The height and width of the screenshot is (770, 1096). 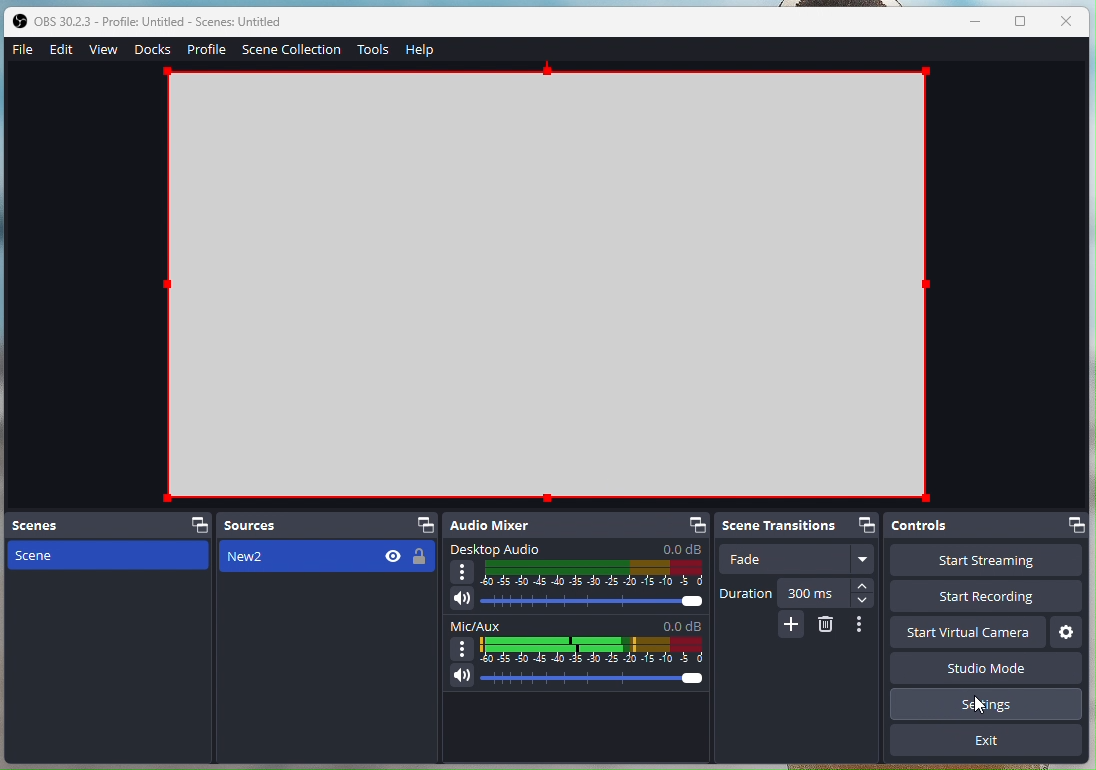 What do you see at coordinates (424, 50) in the screenshot?
I see `Help` at bounding box center [424, 50].